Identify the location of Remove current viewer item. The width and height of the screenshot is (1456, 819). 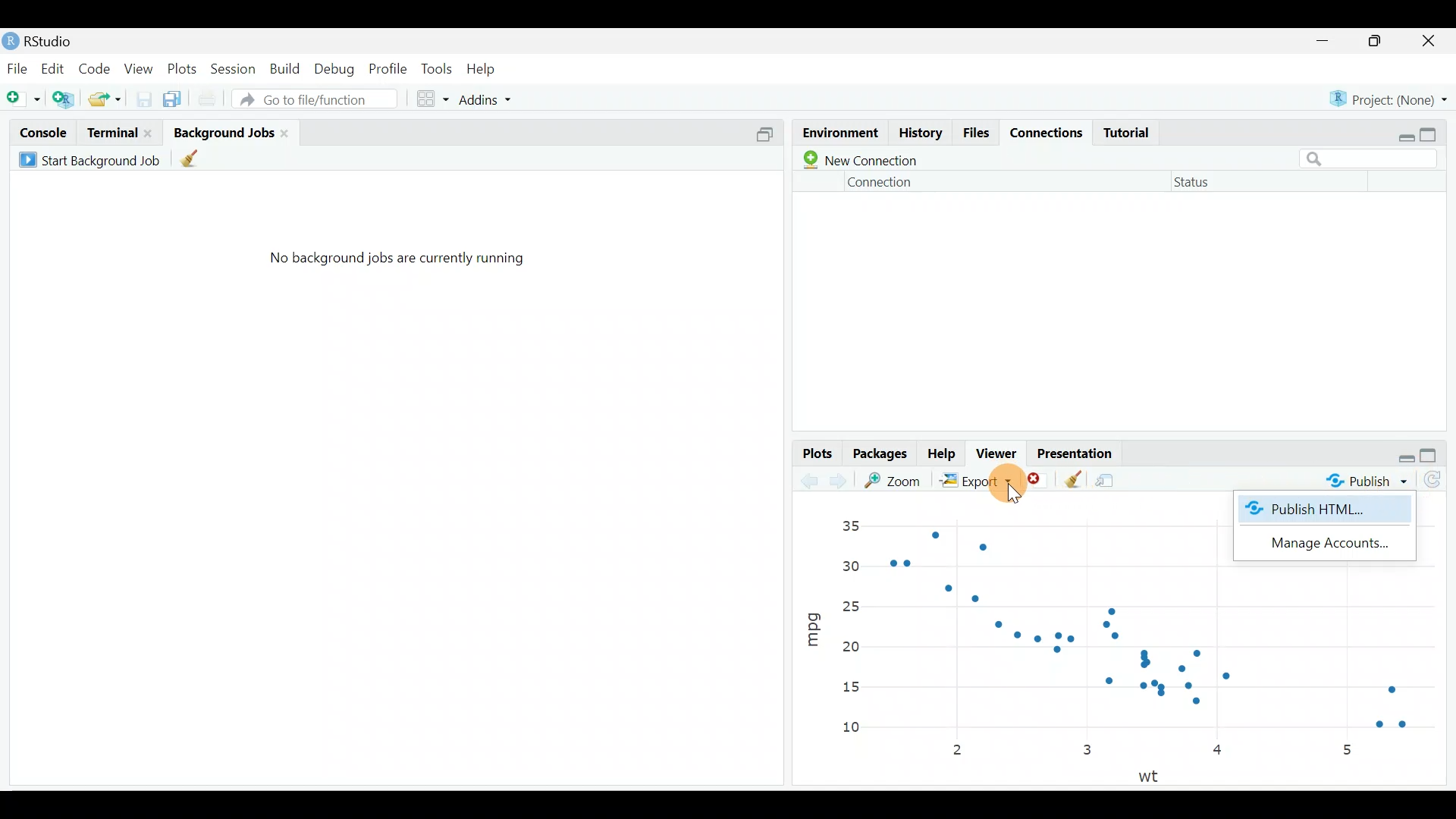
(1039, 480).